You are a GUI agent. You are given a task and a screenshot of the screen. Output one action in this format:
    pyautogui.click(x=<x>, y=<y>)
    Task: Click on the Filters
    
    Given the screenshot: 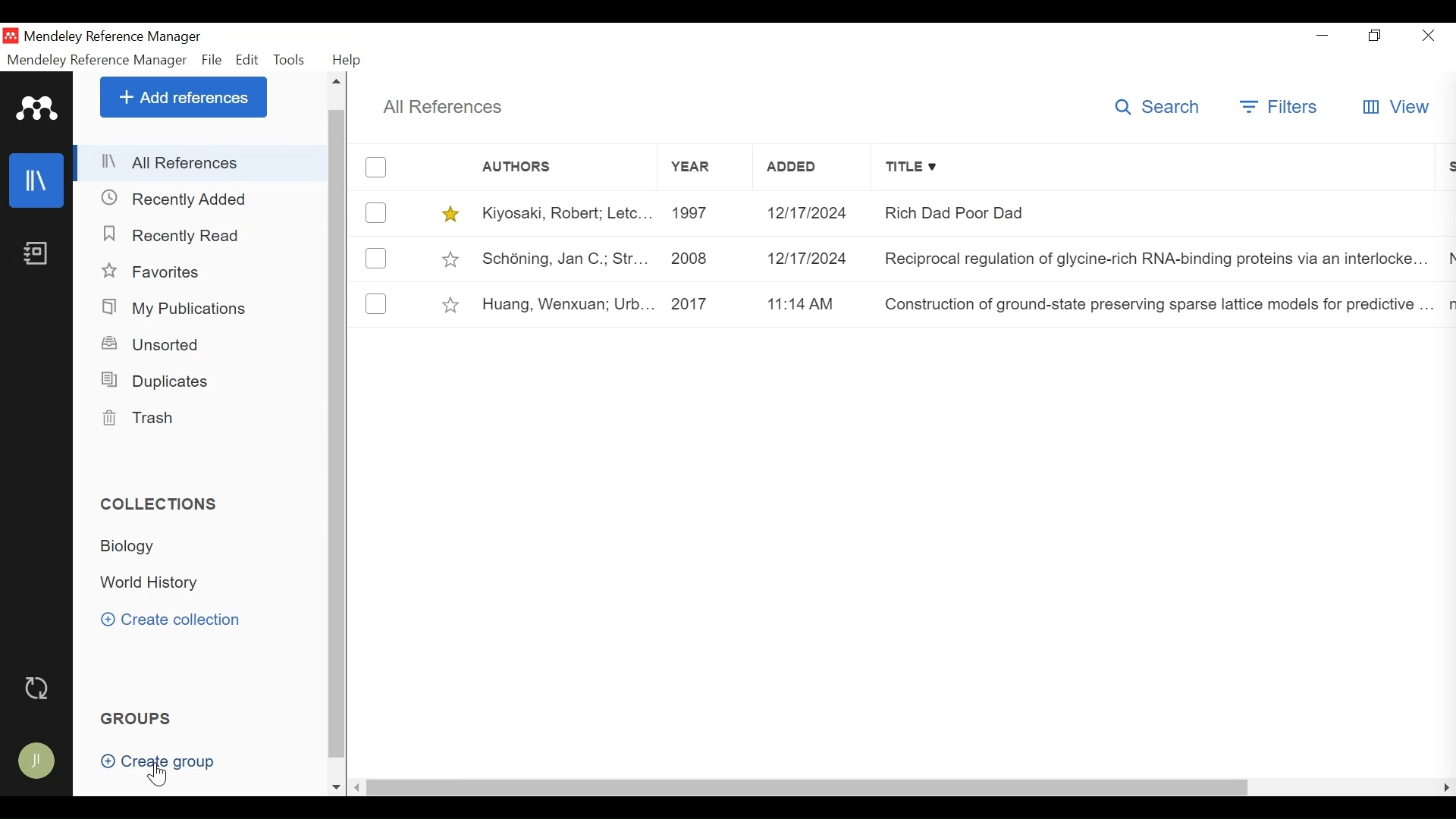 What is the action you would take?
    pyautogui.click(x=1278, y=106)
    